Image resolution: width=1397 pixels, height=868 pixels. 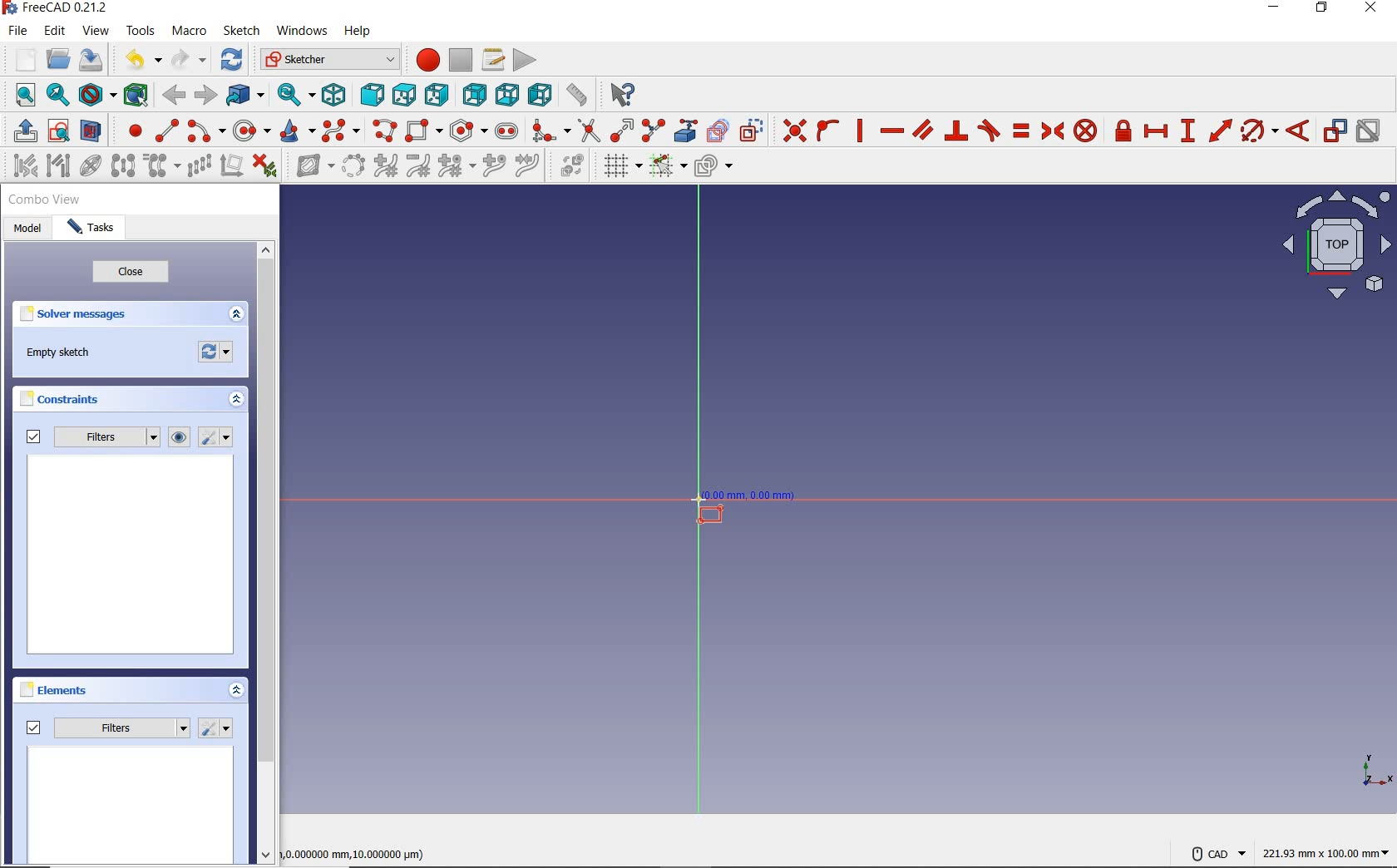 I want to click on isometric view, so click(x=1337, y=248).